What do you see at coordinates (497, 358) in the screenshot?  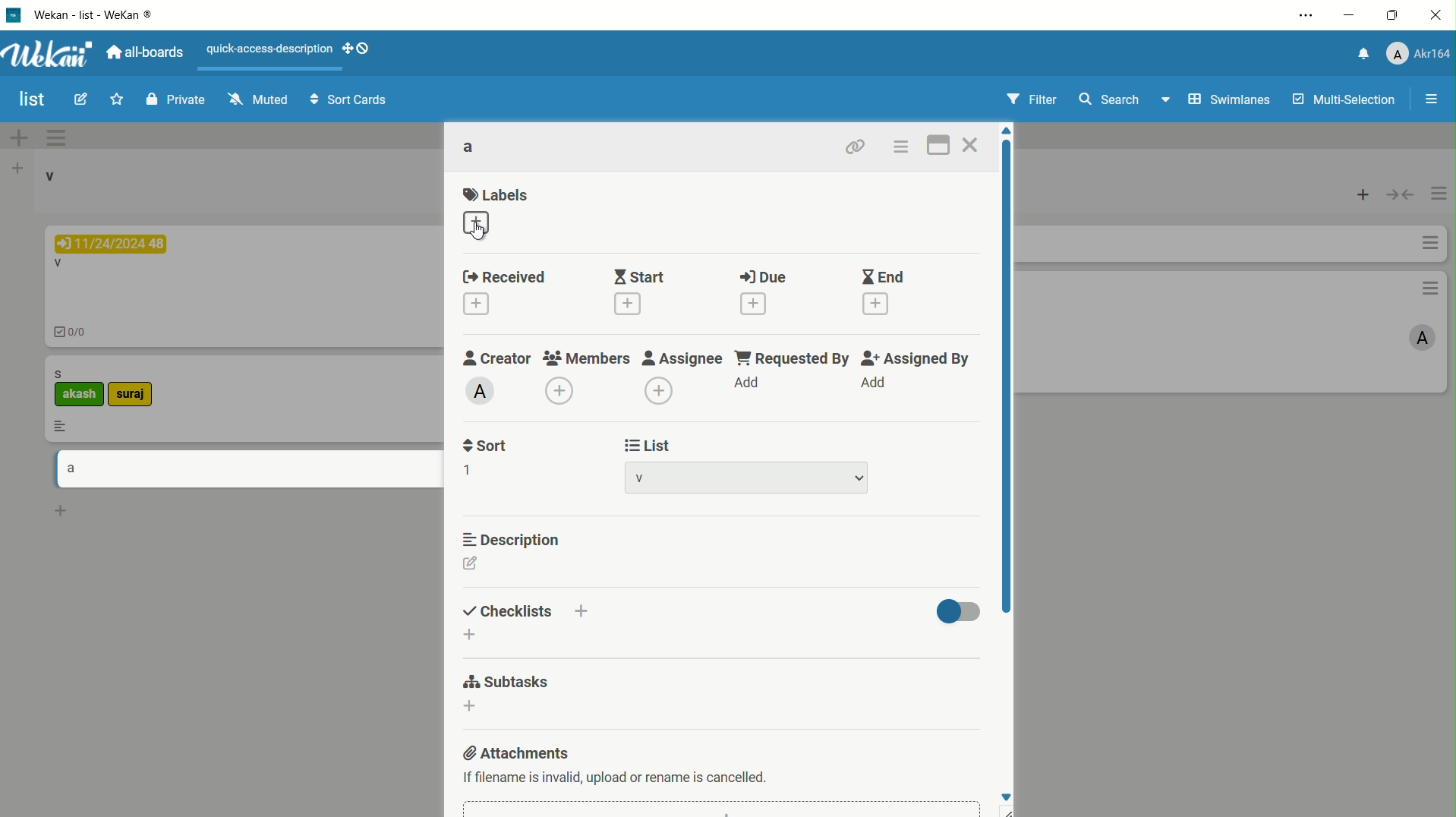 I see `creator` at bounding box center [497, 358].